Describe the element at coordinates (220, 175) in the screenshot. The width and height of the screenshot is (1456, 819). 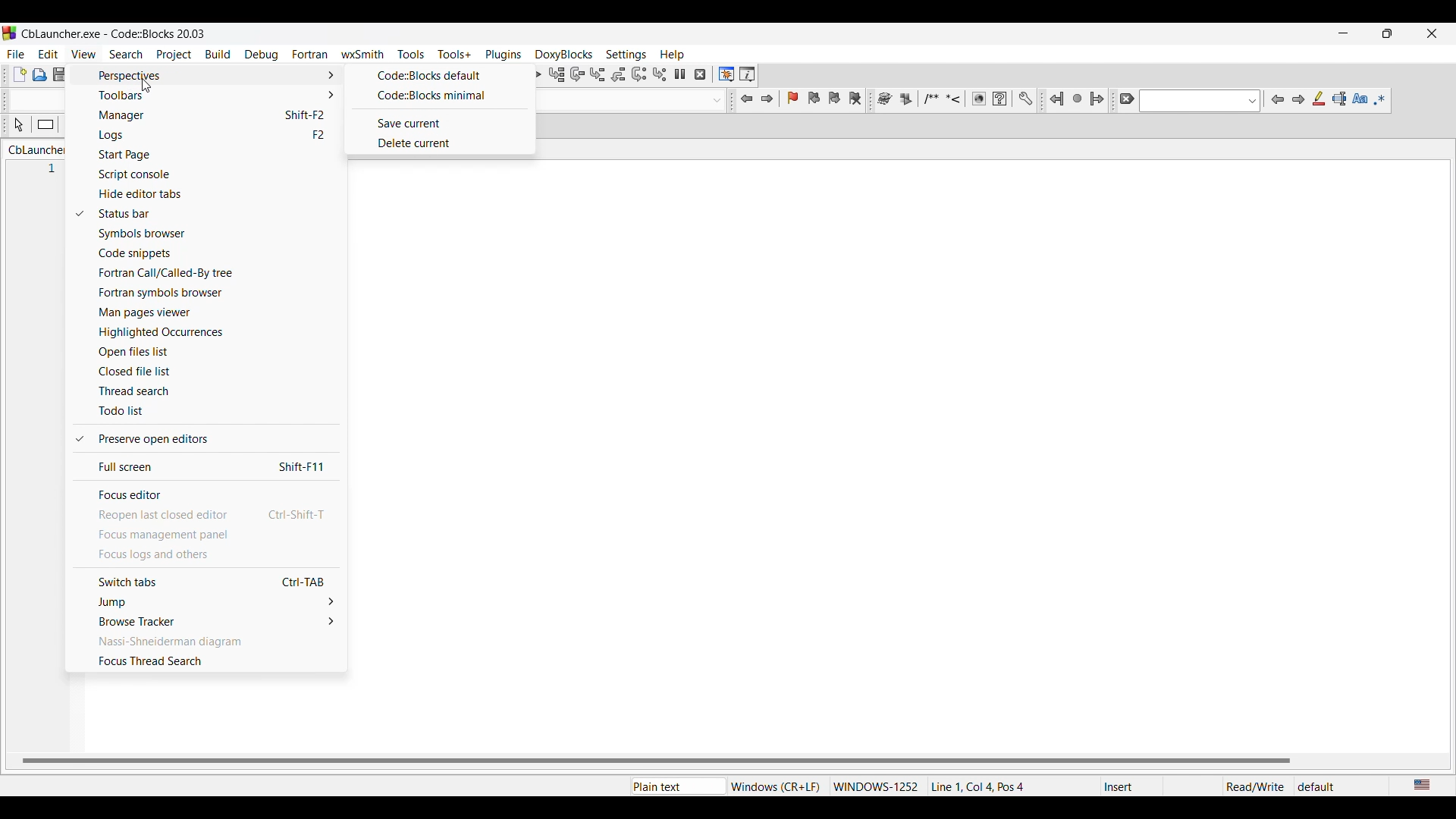
I see `Script console` at that location.